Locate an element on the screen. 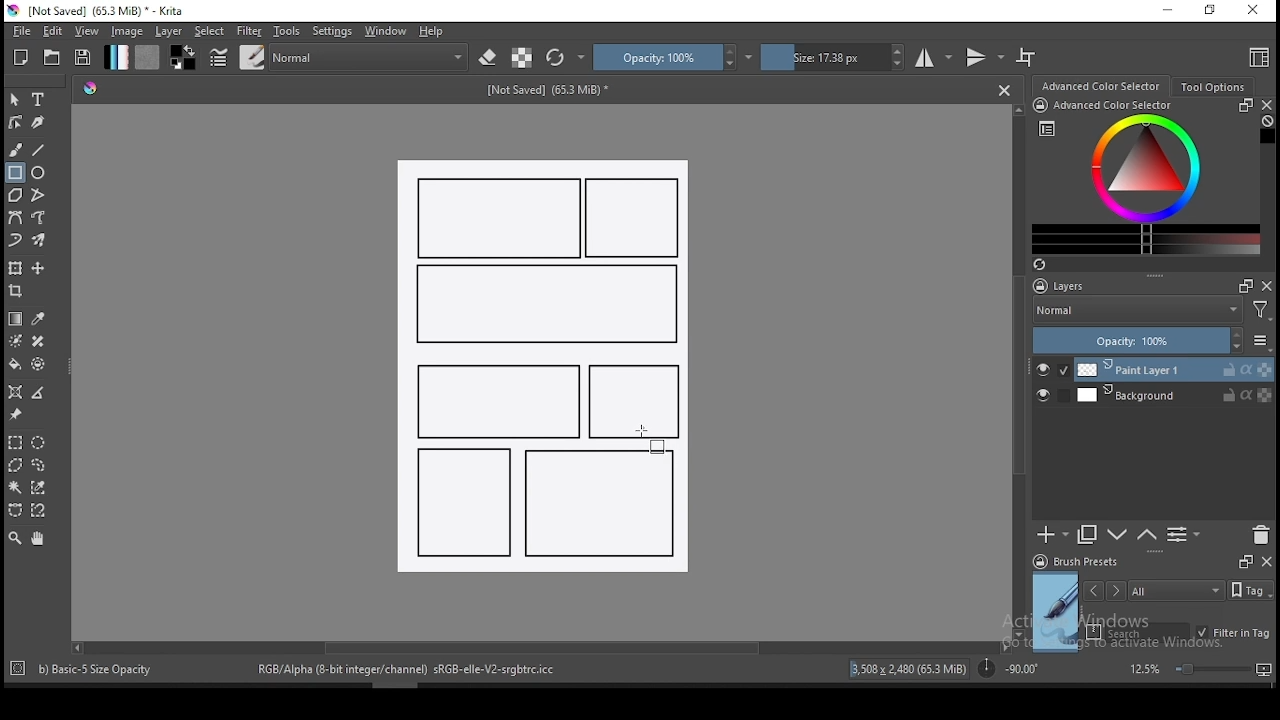 This screenshot has width=1280, height=720. blending mode is located at coordinates (370, 57).